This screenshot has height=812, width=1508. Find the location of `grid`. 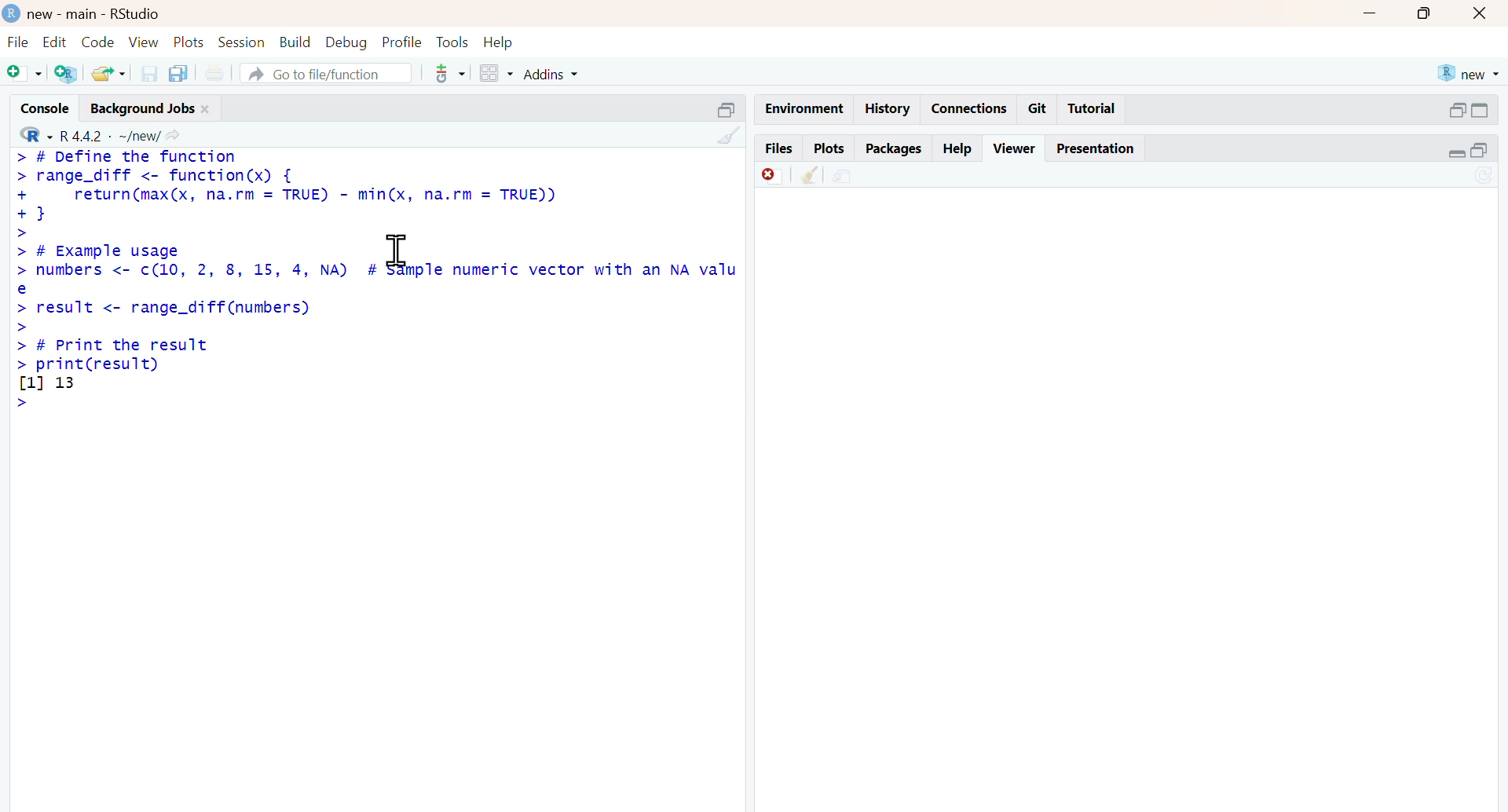

grid is located at coordinates (497, 74).